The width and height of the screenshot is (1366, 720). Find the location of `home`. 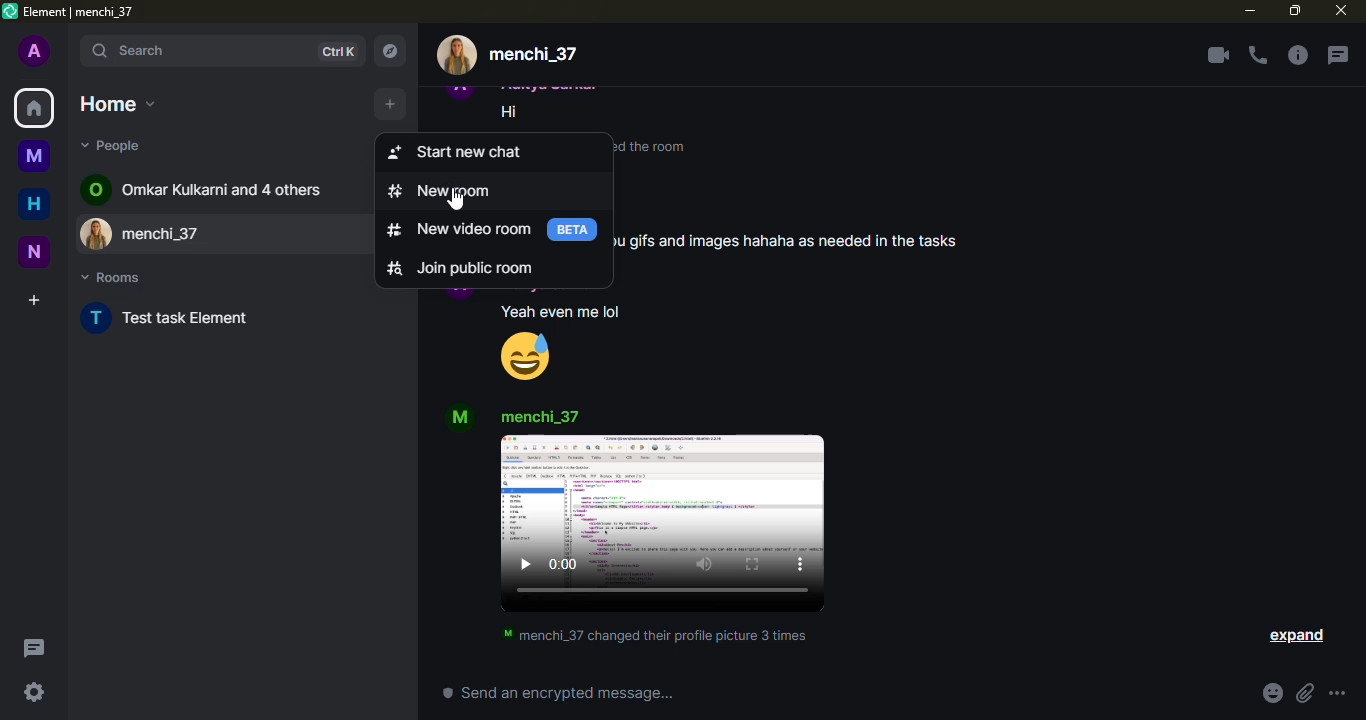

home is located at coordinates (34, 108).